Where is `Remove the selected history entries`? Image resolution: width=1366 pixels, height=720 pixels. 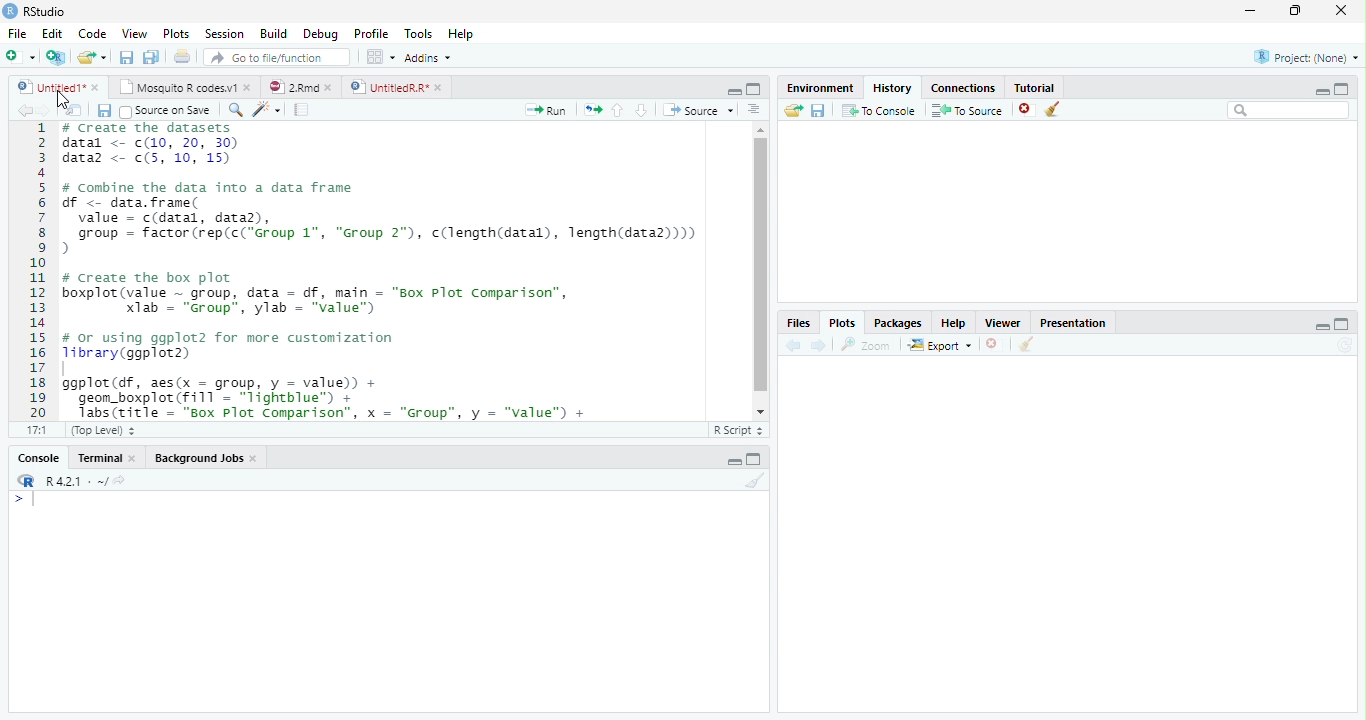
Remove the selected history entries is located at coordinates (1026, 109).